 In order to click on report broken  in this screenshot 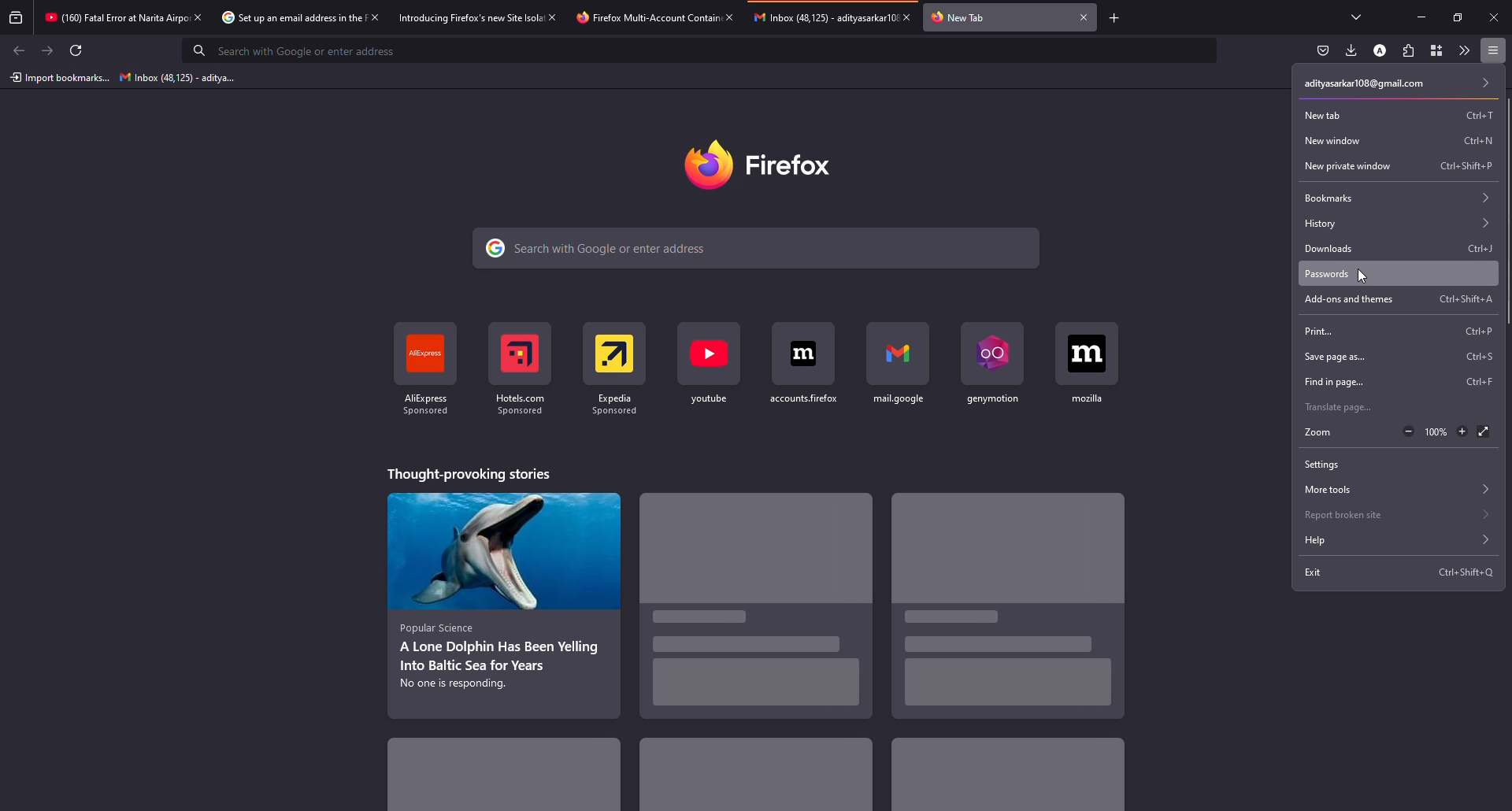, I will do `click(1395, 515)`.